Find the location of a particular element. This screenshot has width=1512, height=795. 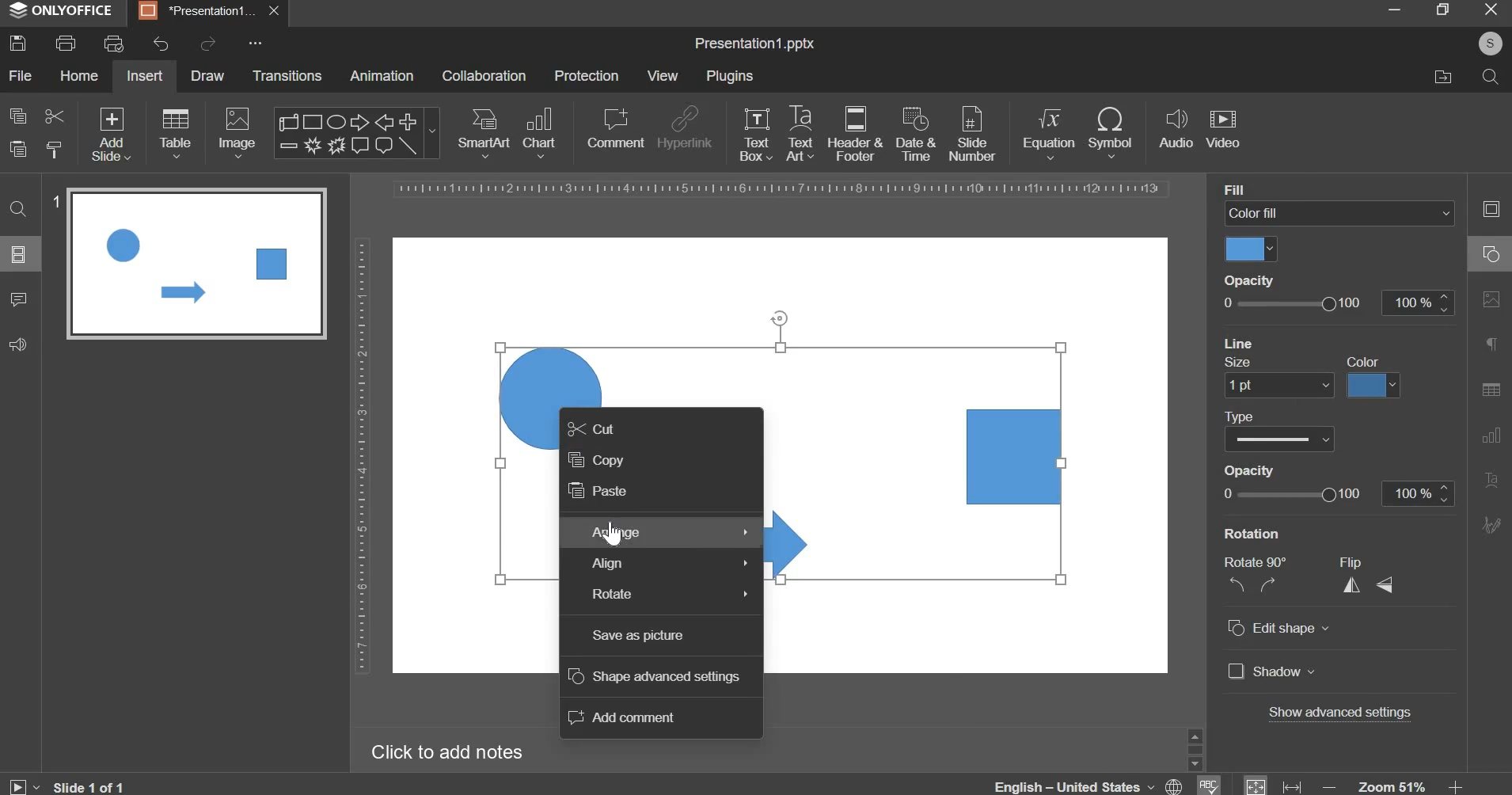

file location is located at coordinates (1442, 77).